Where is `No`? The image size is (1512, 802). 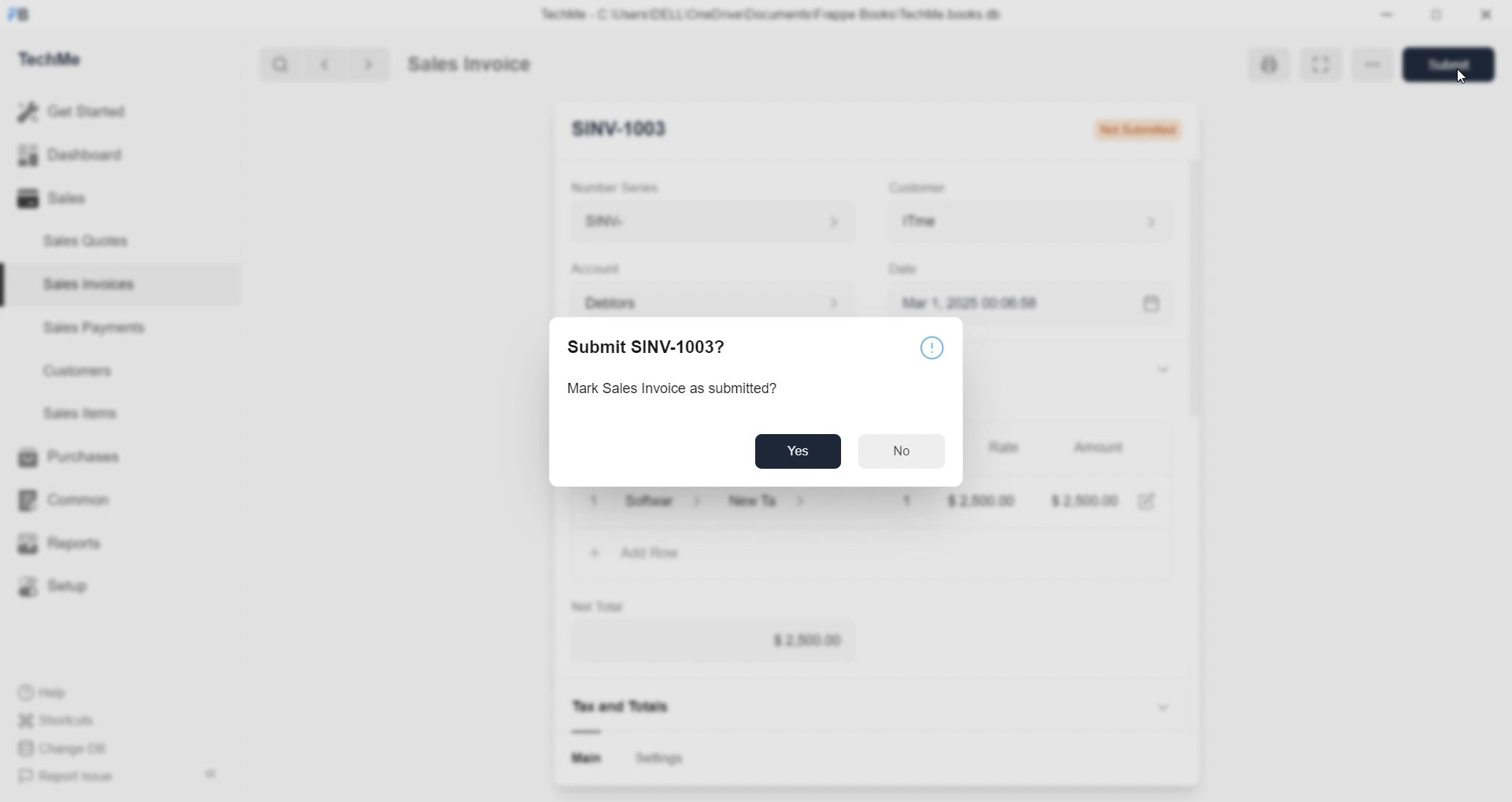 No is located at coordinates (906, 453).